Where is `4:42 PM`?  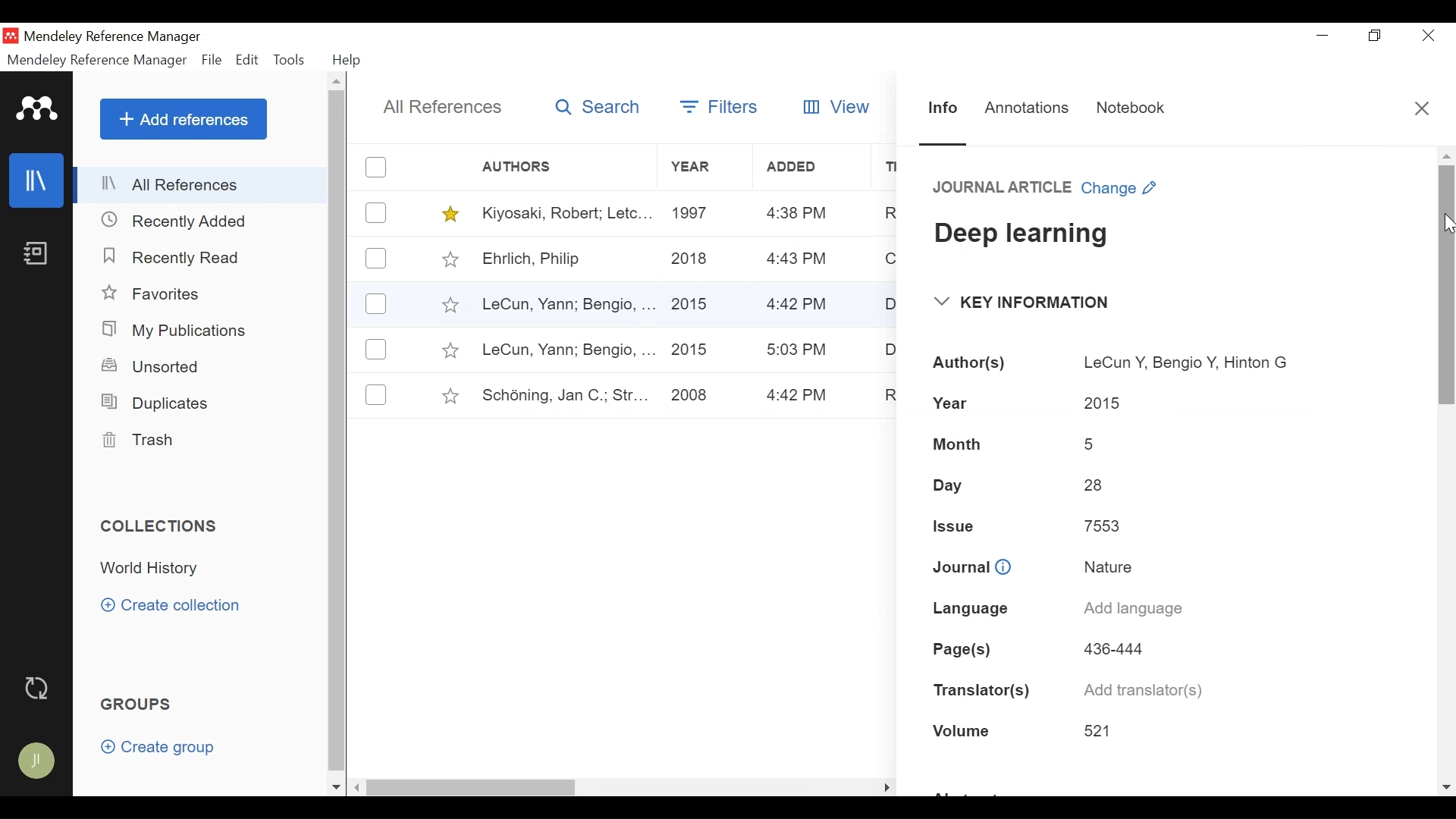
4:42 PM is located at coordinates (799, 396).